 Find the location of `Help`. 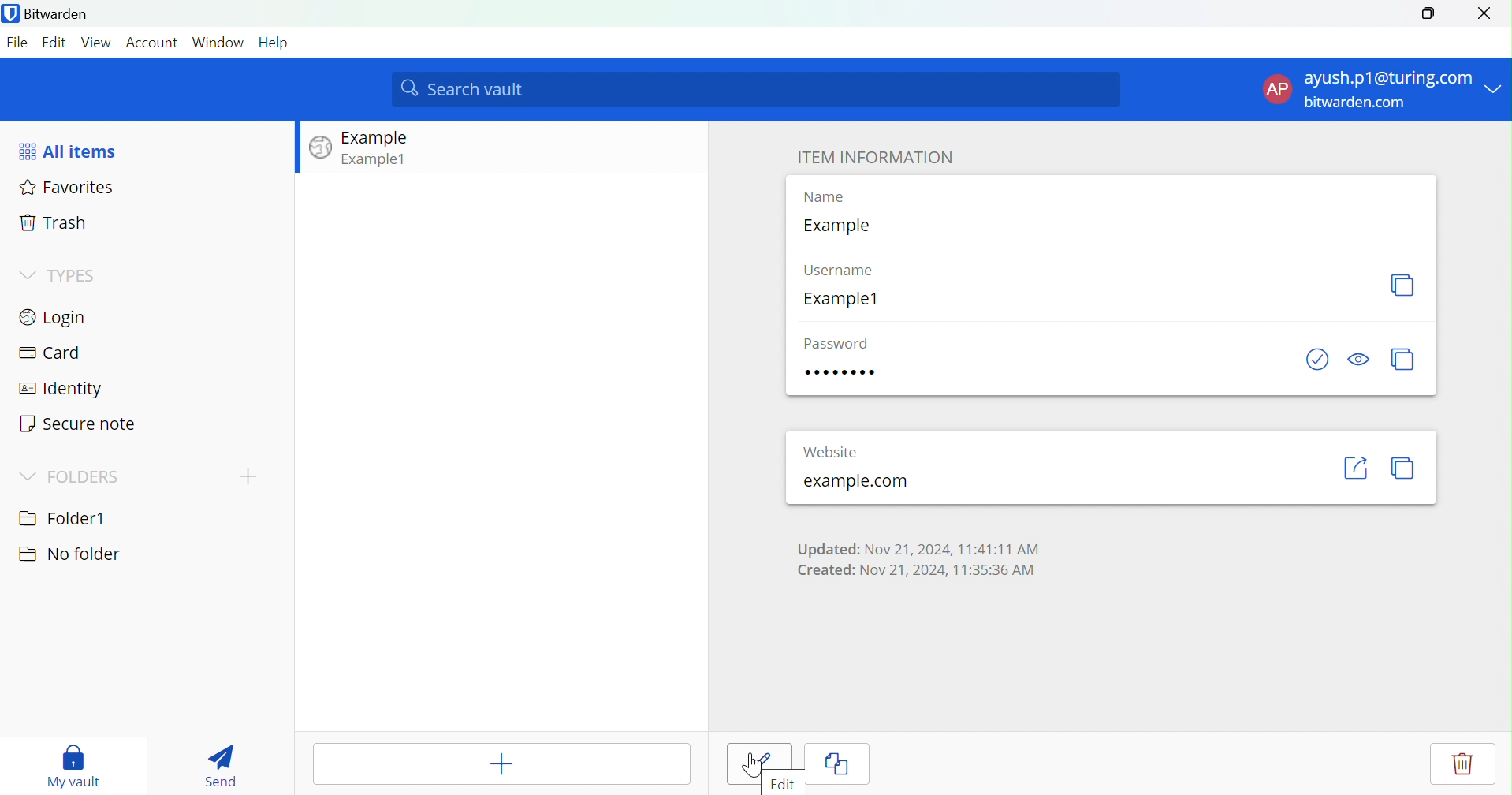

Help is located at coordinates (275, 42).